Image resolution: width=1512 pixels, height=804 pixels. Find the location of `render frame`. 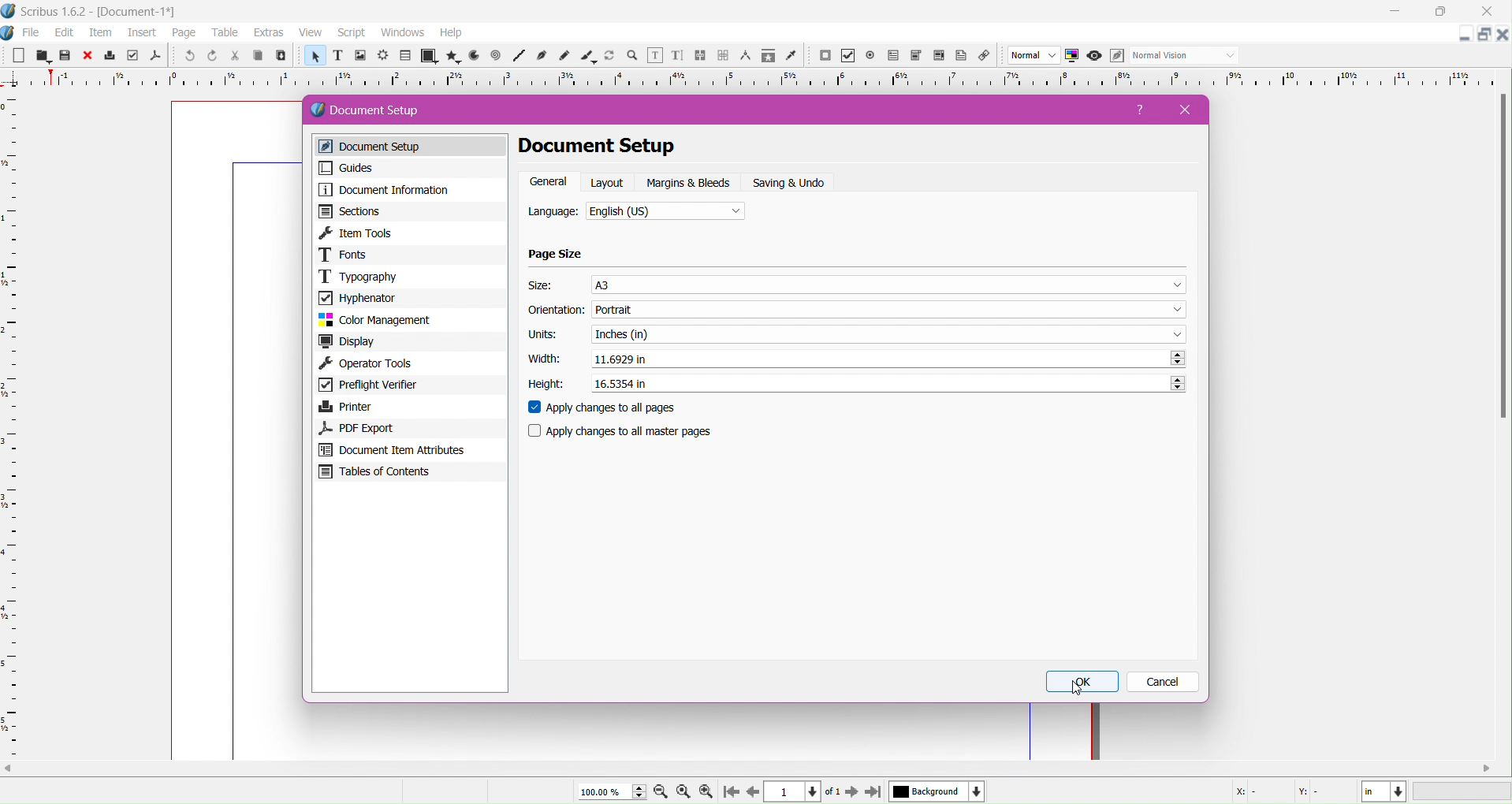

render frame is located at coordinates (382, 56).